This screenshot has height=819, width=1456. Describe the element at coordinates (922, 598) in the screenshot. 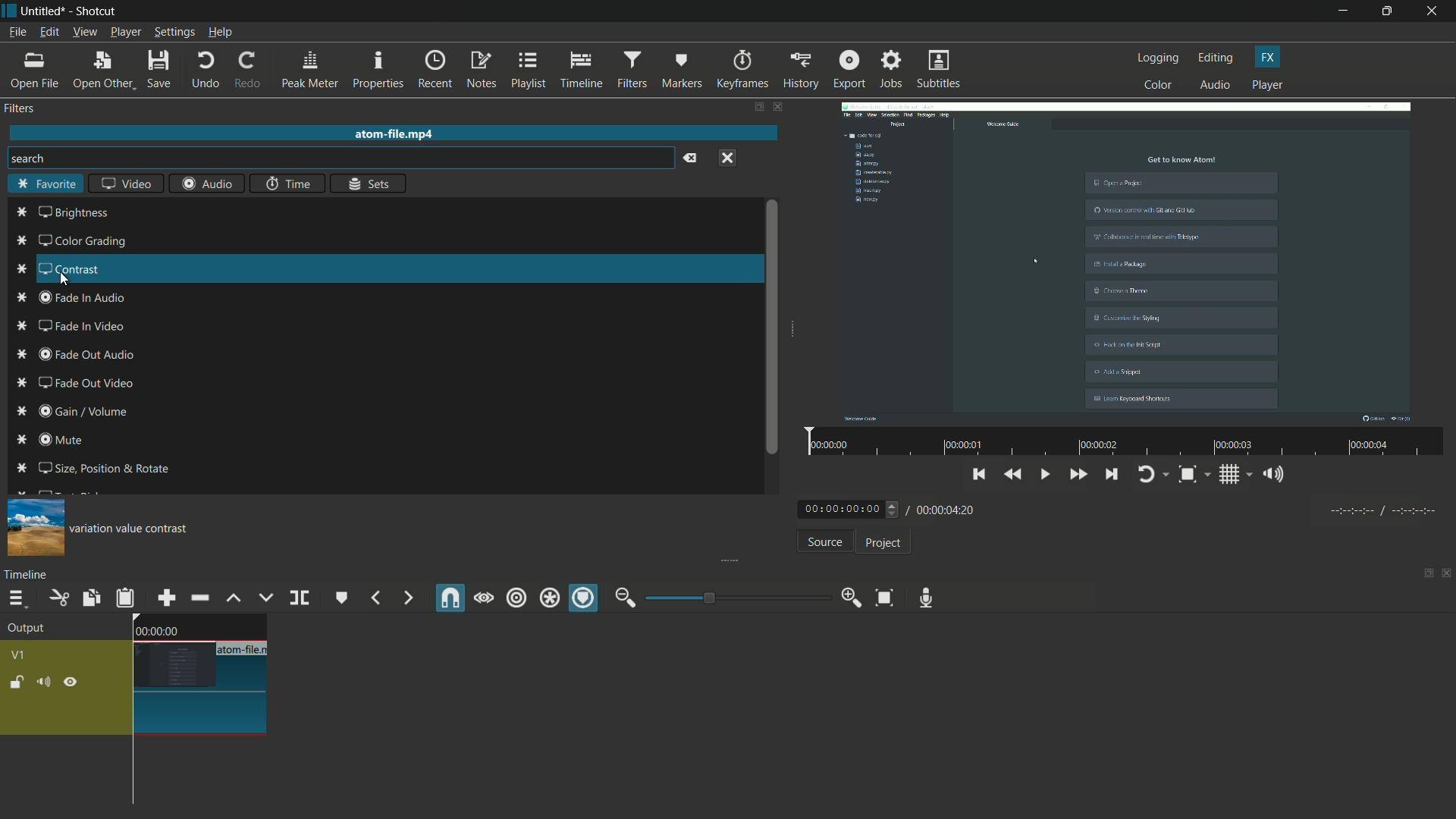

I see `record audio` at that location.